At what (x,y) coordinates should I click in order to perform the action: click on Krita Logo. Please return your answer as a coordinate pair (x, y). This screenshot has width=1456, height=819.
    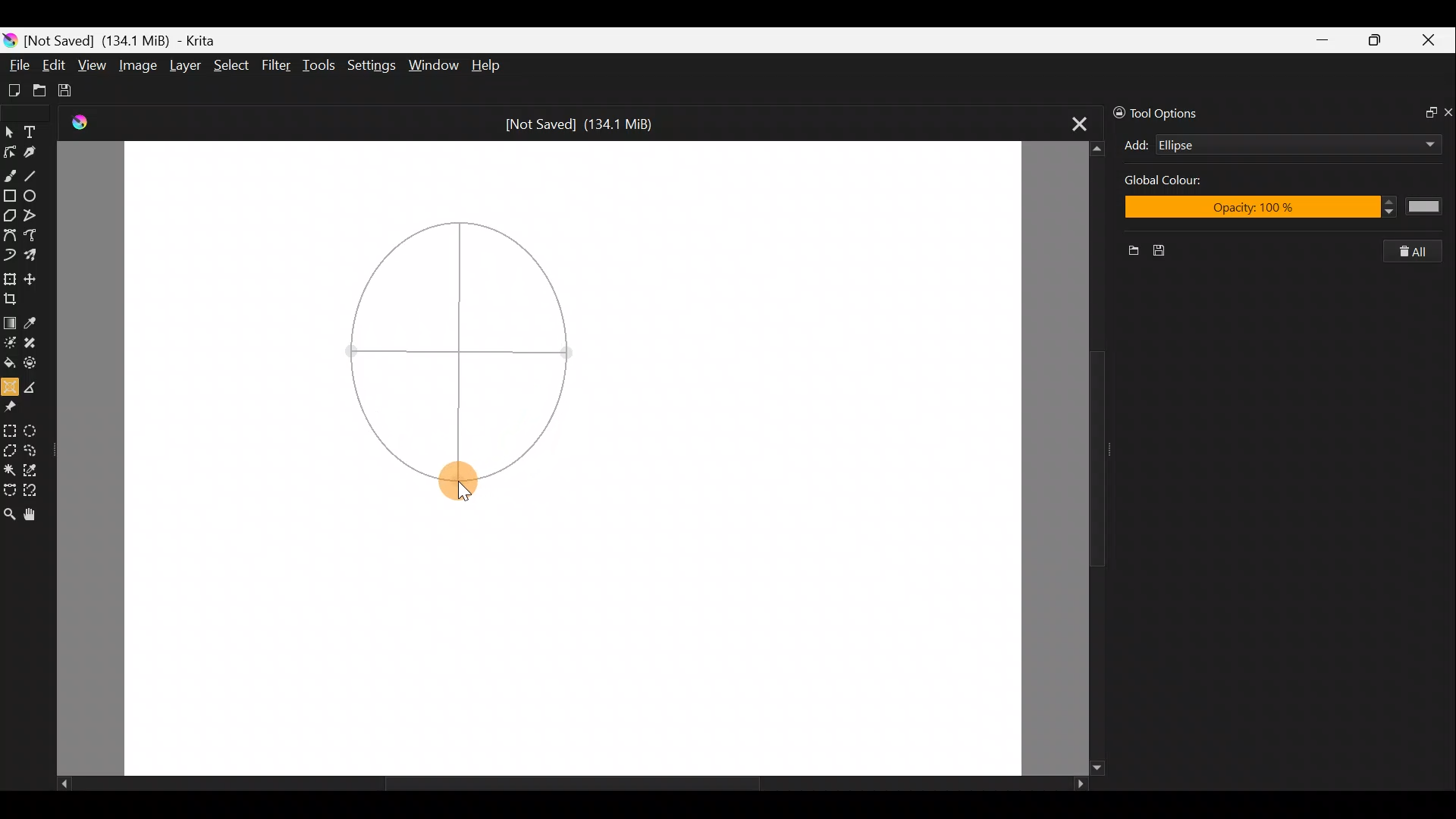
    Looking at the image, I should click on (77, 123).